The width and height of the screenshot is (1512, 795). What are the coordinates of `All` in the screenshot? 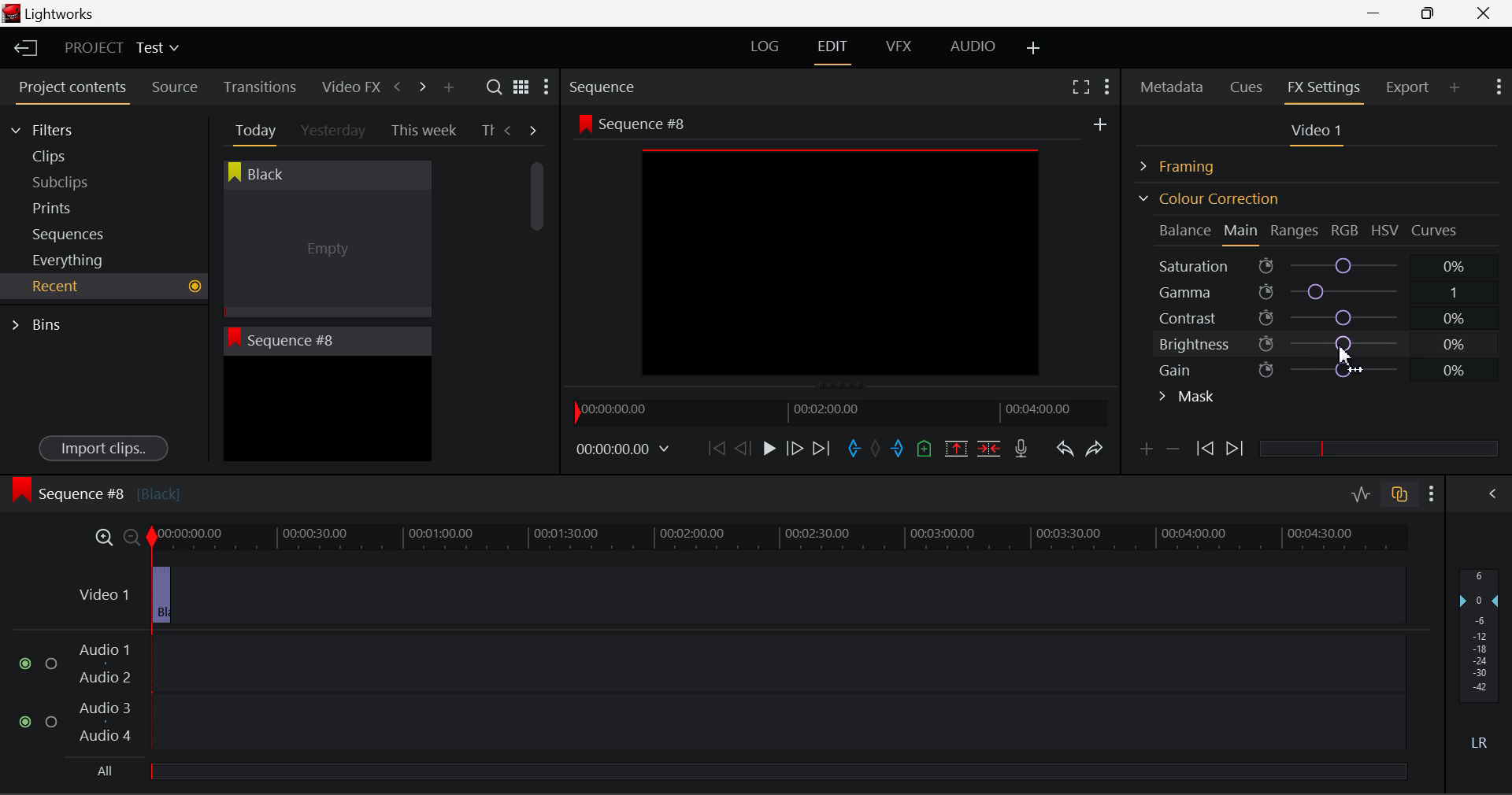 It's located at (106, 771).